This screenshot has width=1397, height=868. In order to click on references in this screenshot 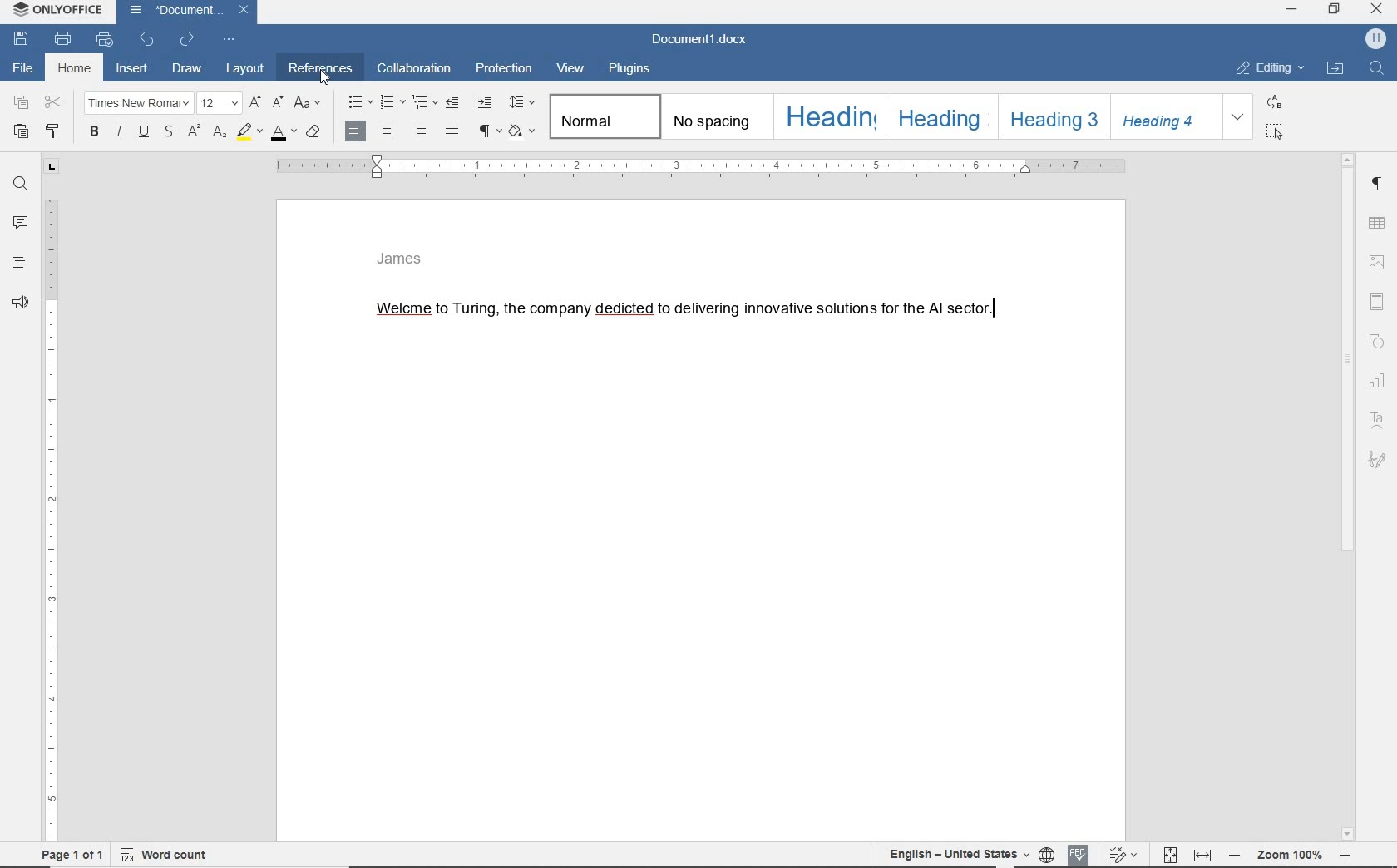, I will do `click(320, 70)`.